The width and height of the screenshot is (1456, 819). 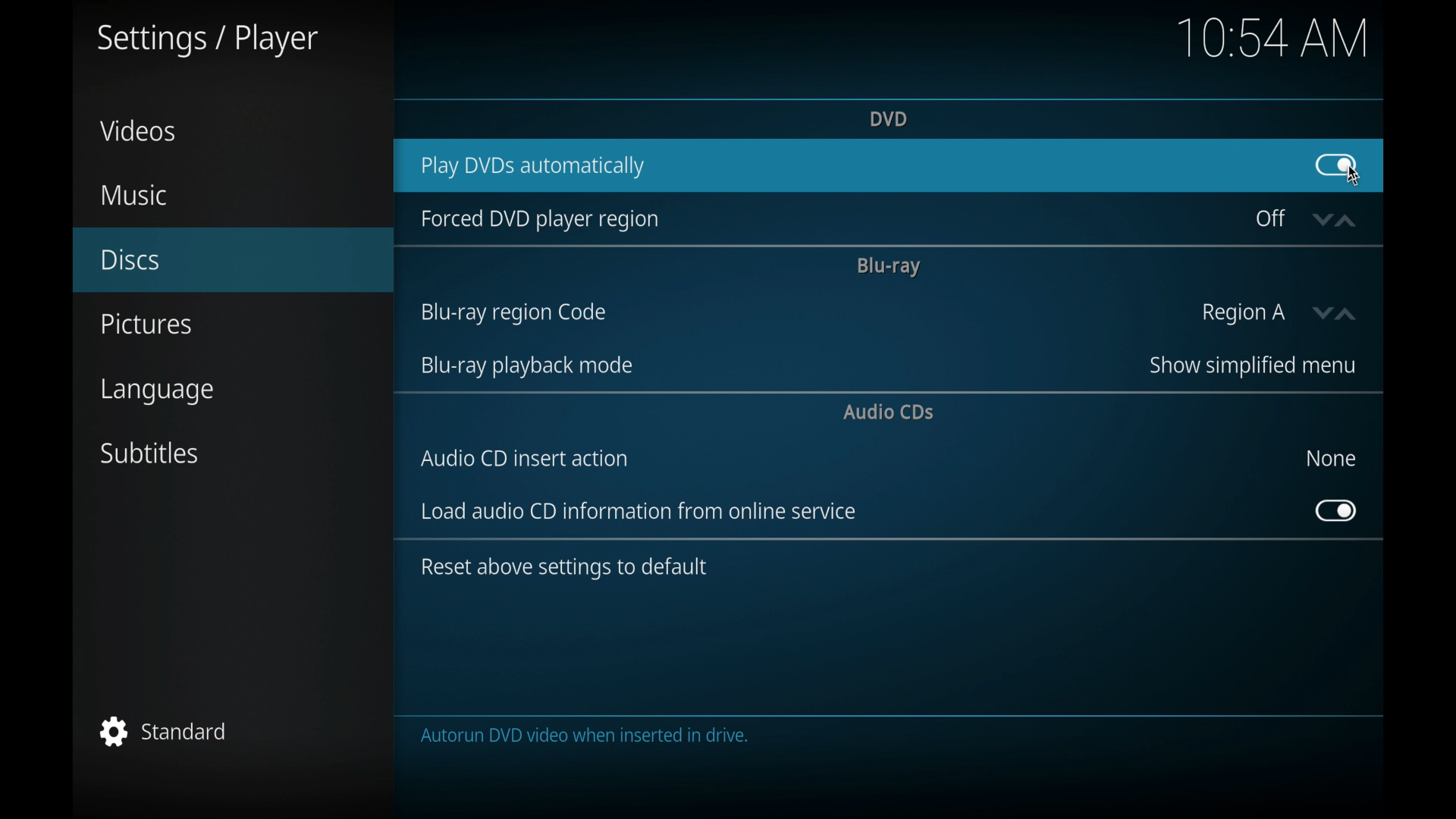 I want to click on cursor, so click(x=1353, y=178).